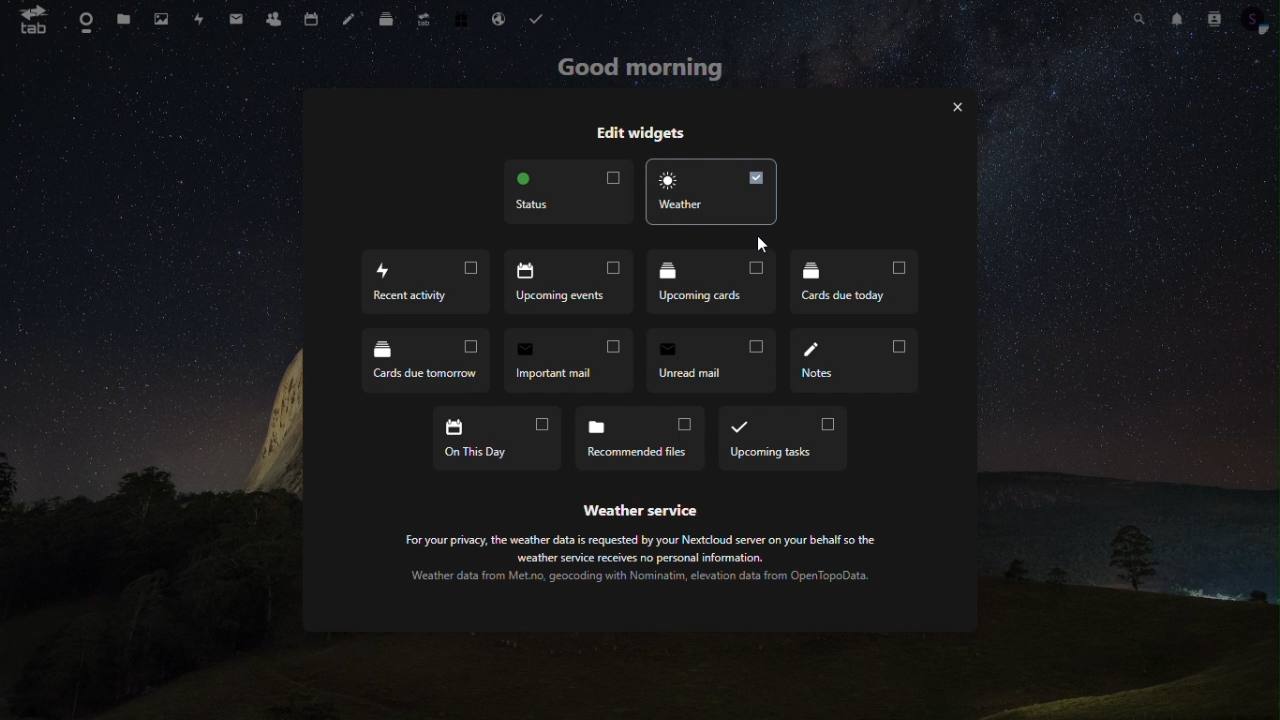 This screenshot has width=1280, height=720. Describe the element at coordinates (238, 20) in the screenshot. I see `message` at that location.